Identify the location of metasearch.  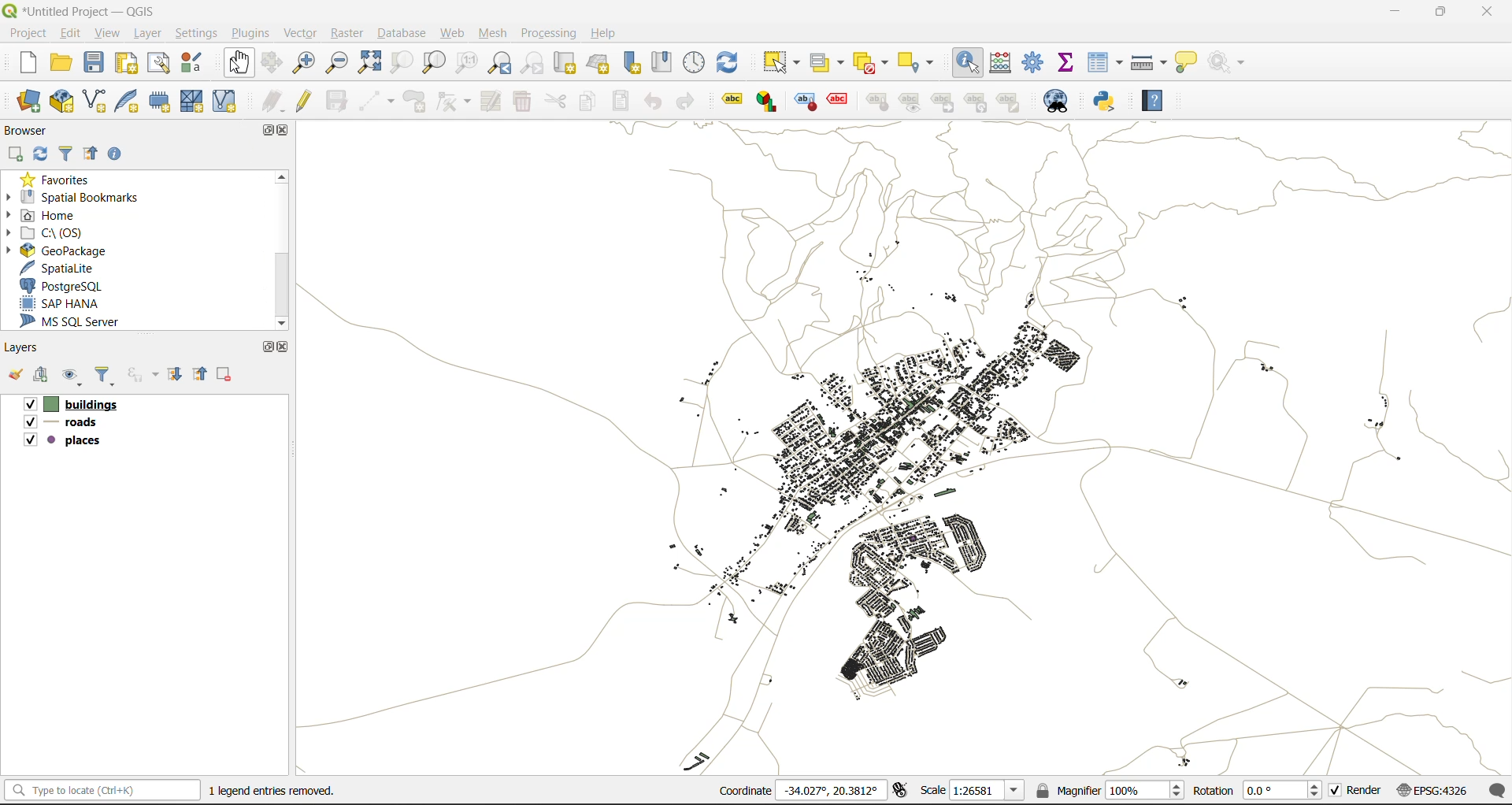
(1056, 99).